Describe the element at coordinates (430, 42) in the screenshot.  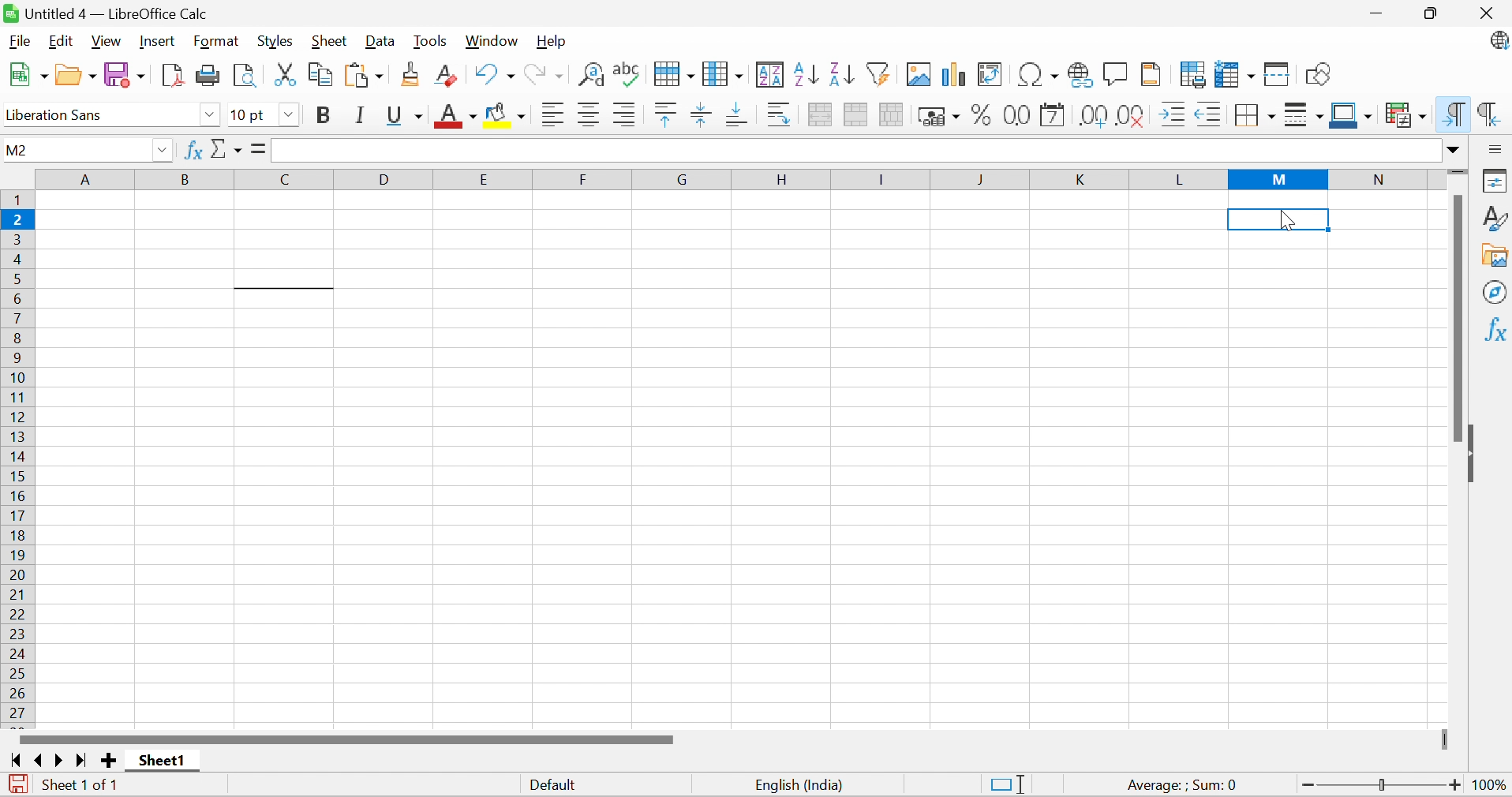
I see `Tools` at that location.